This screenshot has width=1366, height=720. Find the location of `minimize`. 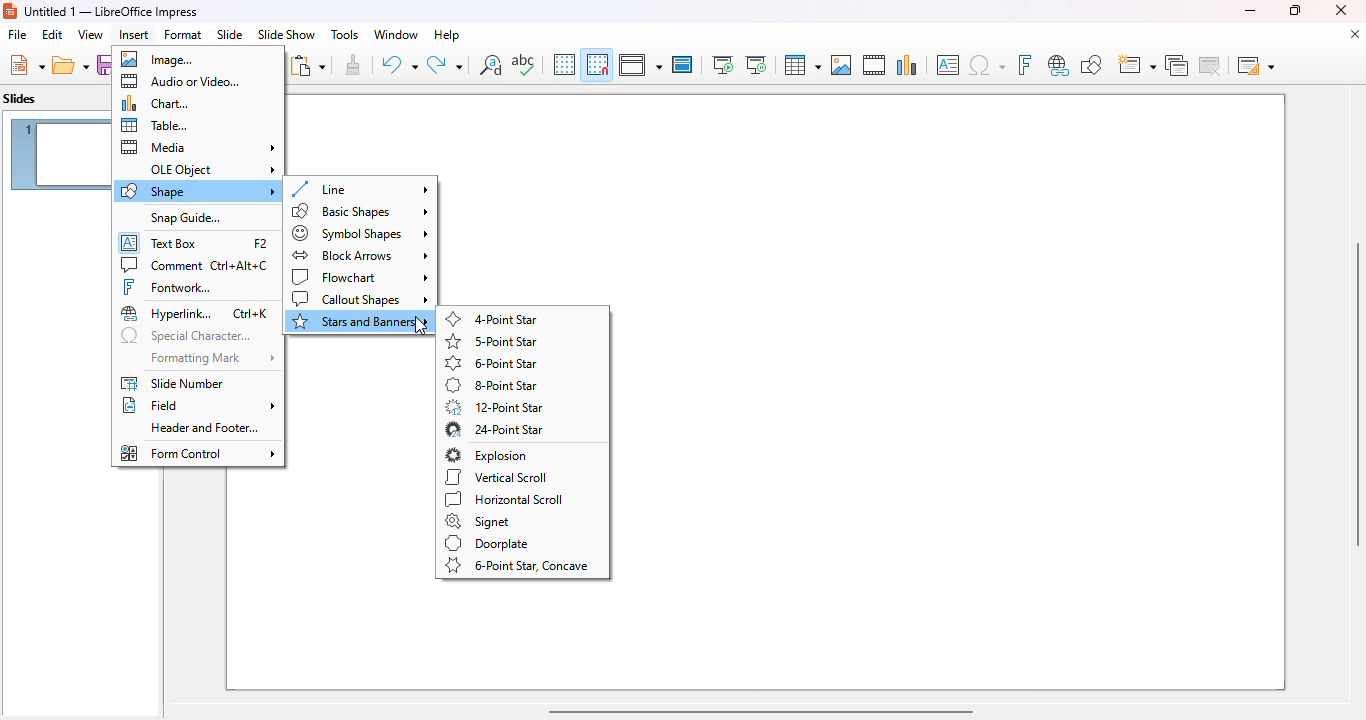

minimize is located at coordinates (1249, 10).